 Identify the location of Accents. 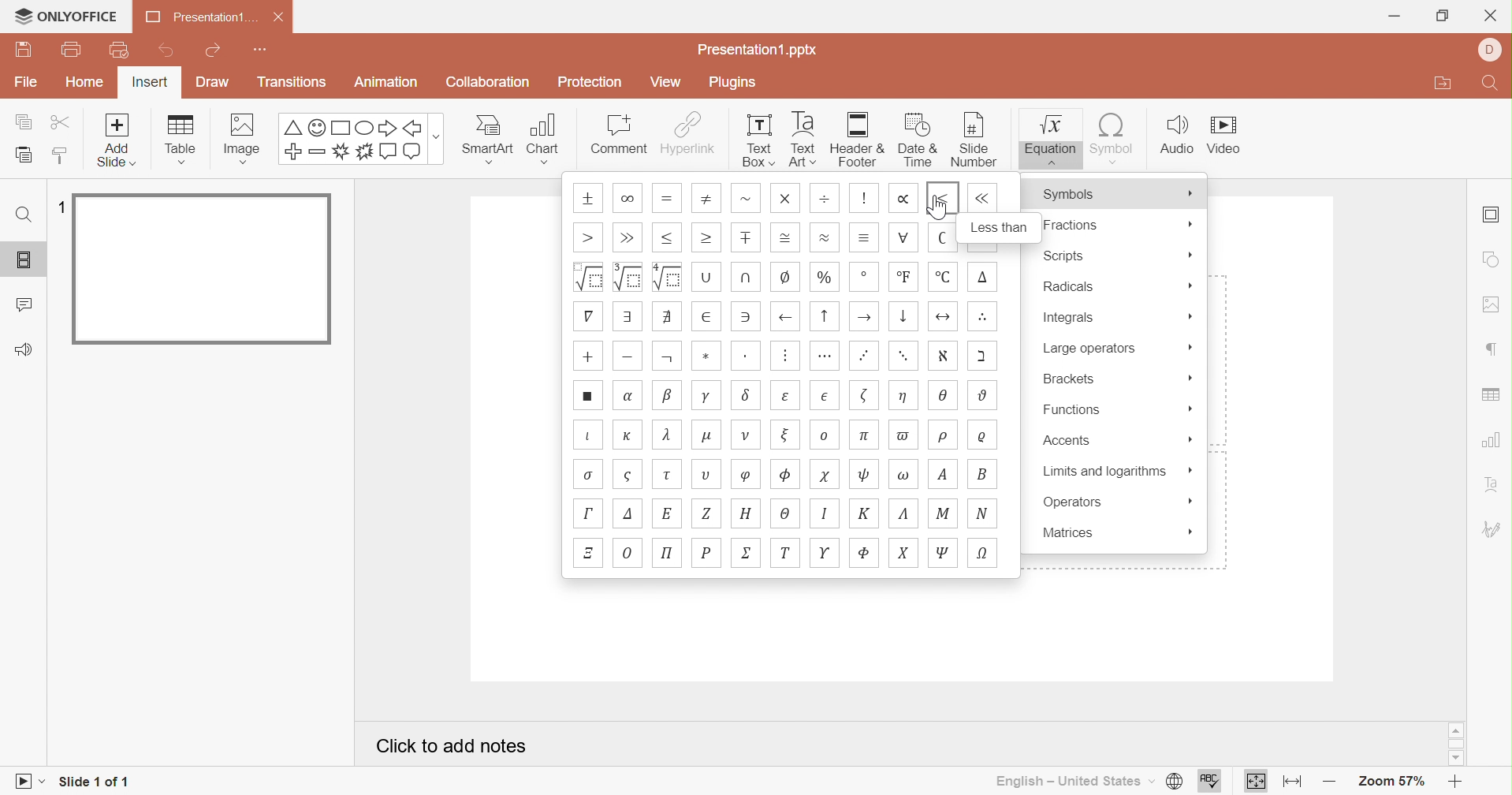
(1116, 439).